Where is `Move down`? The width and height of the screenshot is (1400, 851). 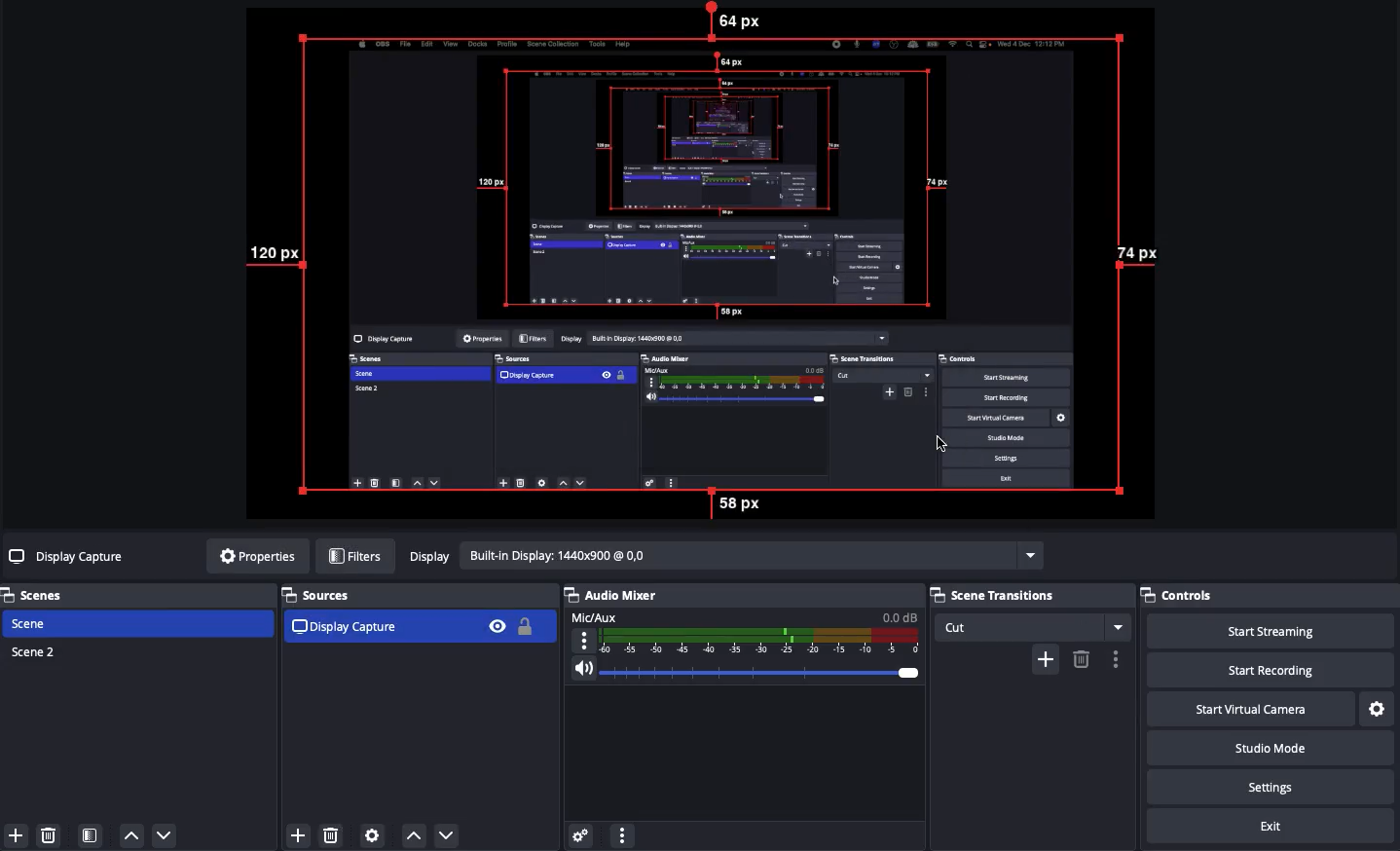
Move down is located at coordinates (164, 834).